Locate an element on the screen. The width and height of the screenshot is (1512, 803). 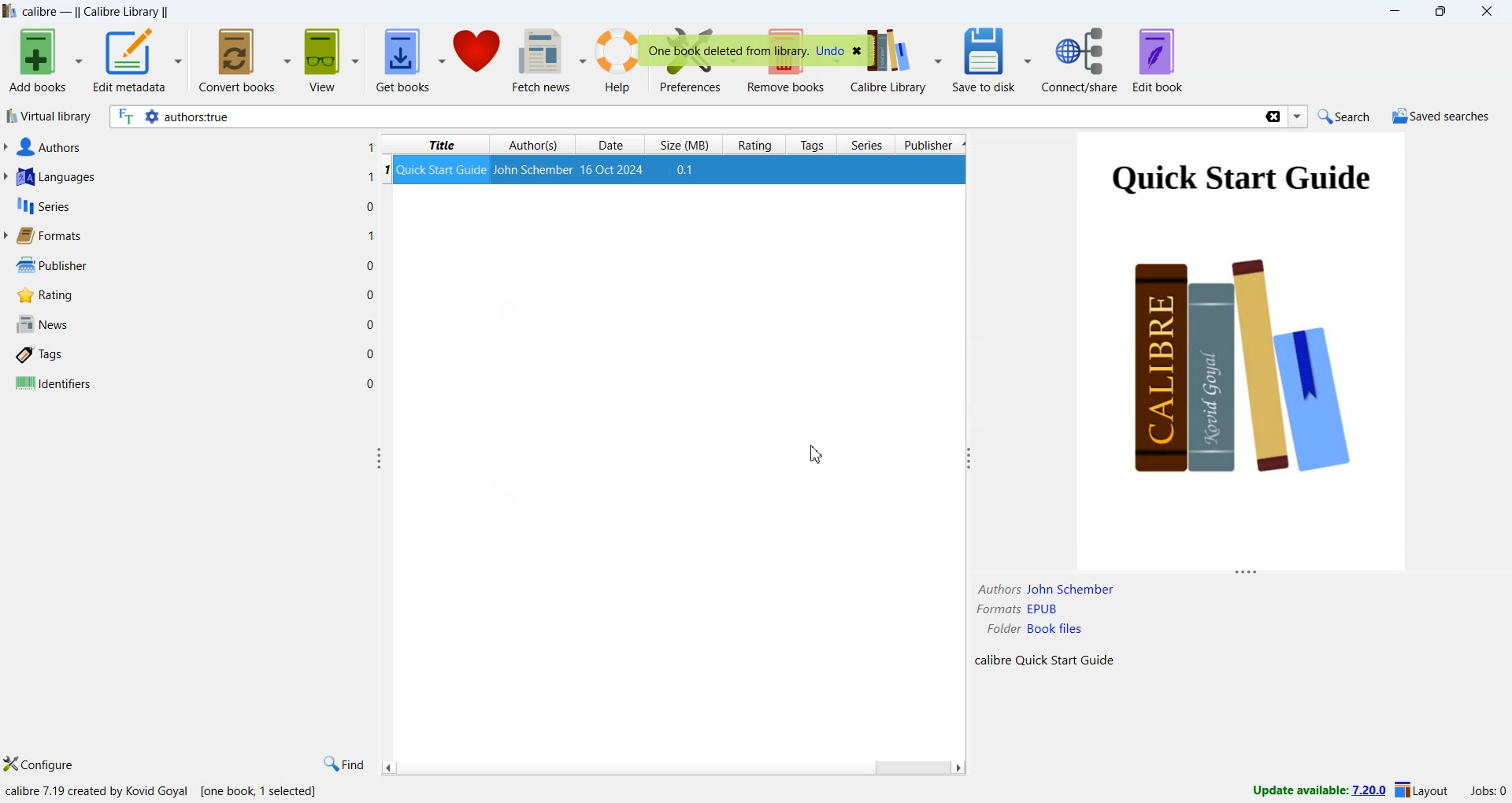
authors is located at coordinates (535, 145).